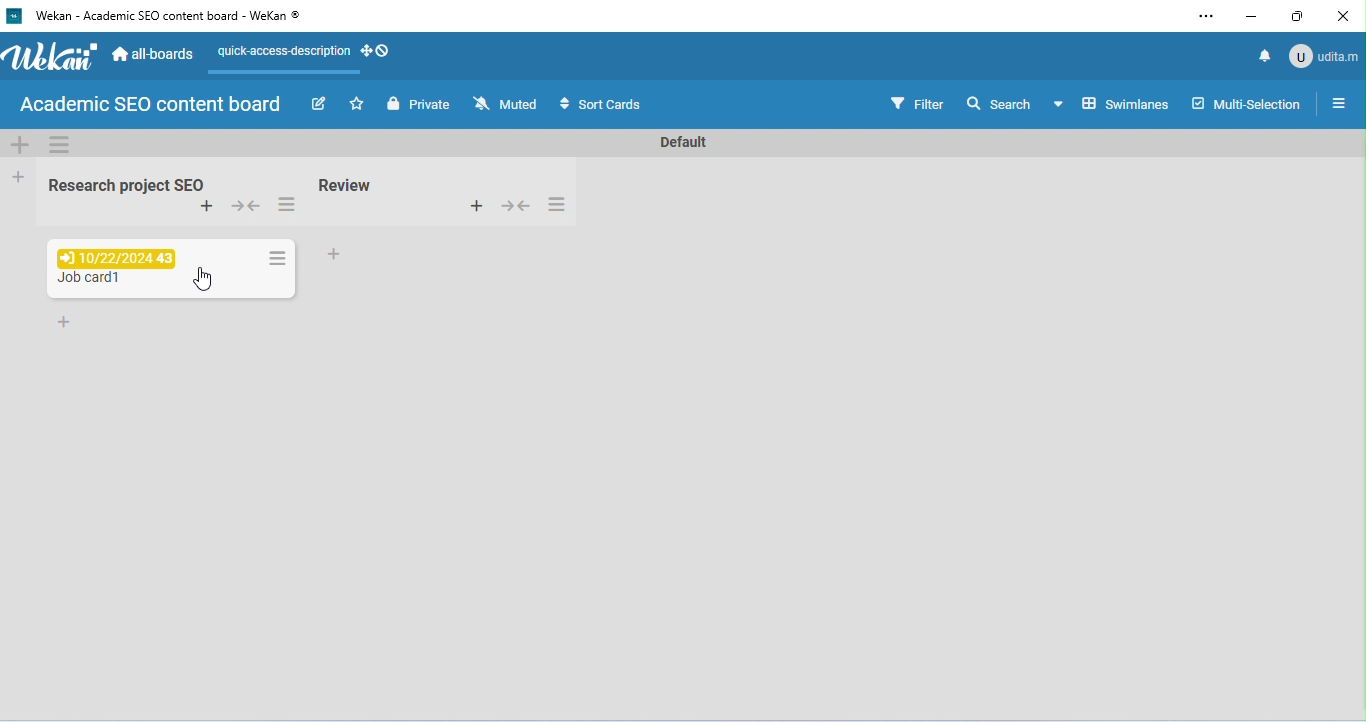  What do you see at coordinates (1251, 18) in the screenshot?
I see `minimize` at bounding box center [1251, 18].